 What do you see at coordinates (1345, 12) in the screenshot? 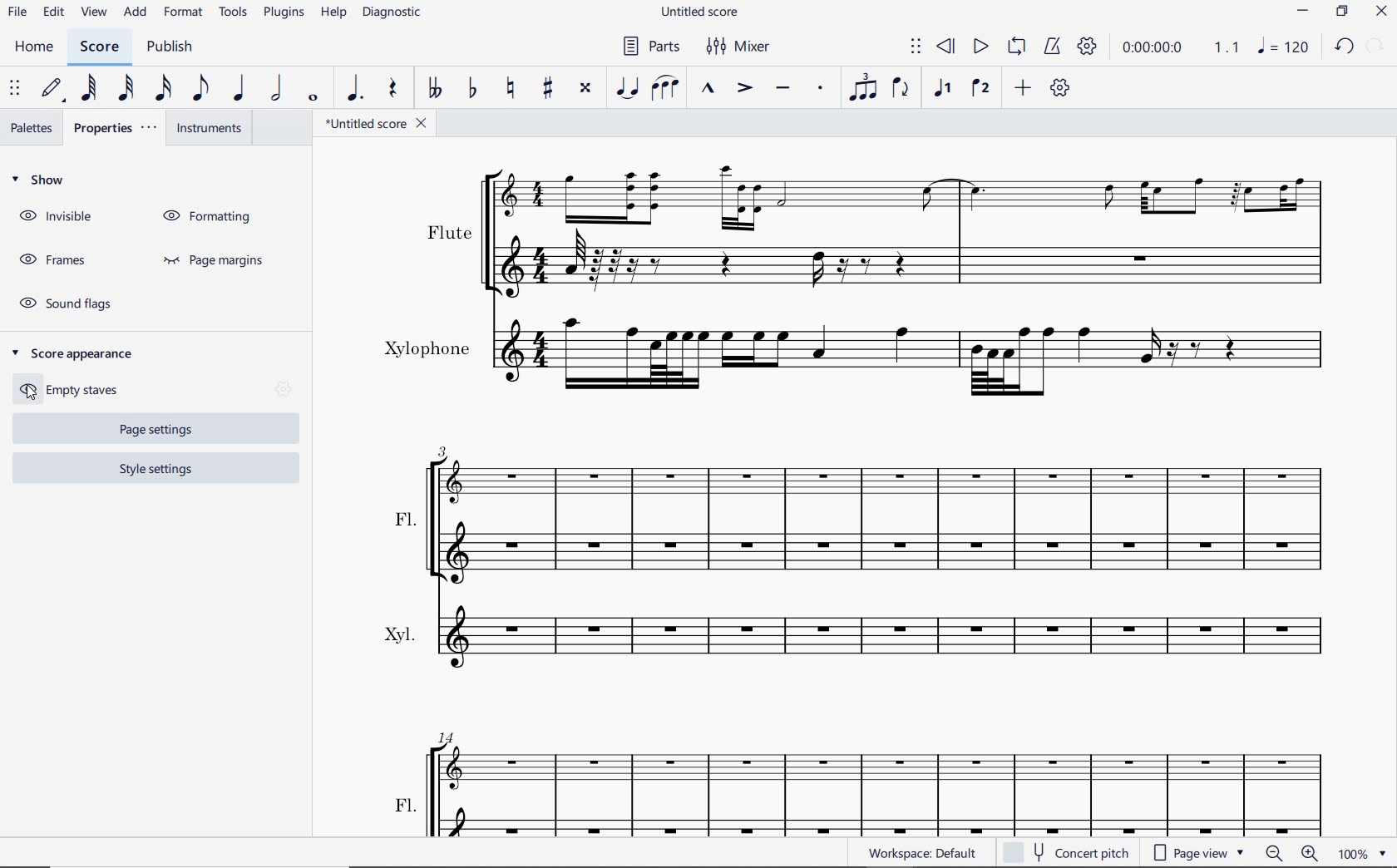
I see `RESTORE DOWN` at bounding box center [1345, 12].